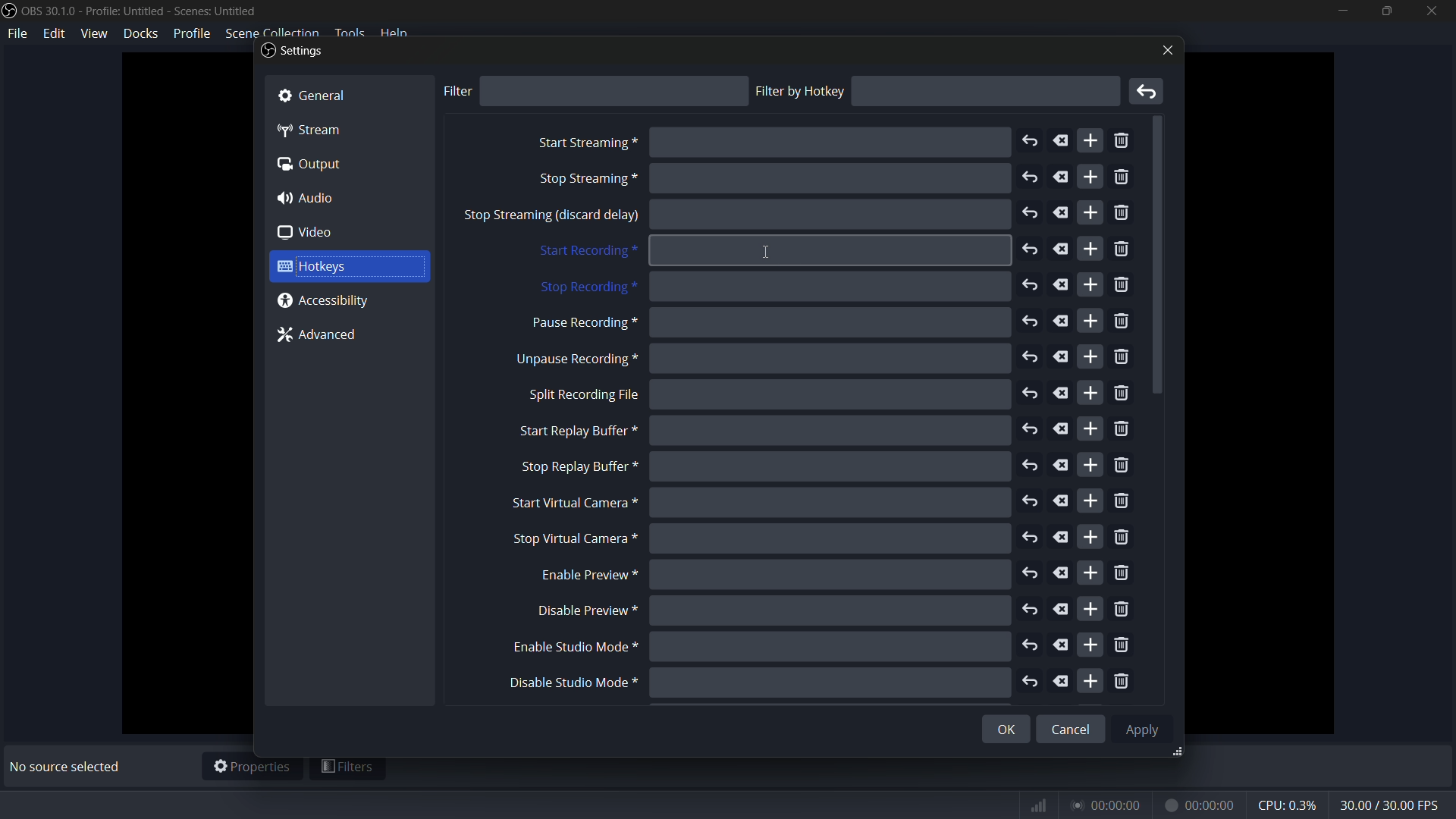  Describe the element at coordinates (1032, 538) in the screenshot. I see `undo` at that location.